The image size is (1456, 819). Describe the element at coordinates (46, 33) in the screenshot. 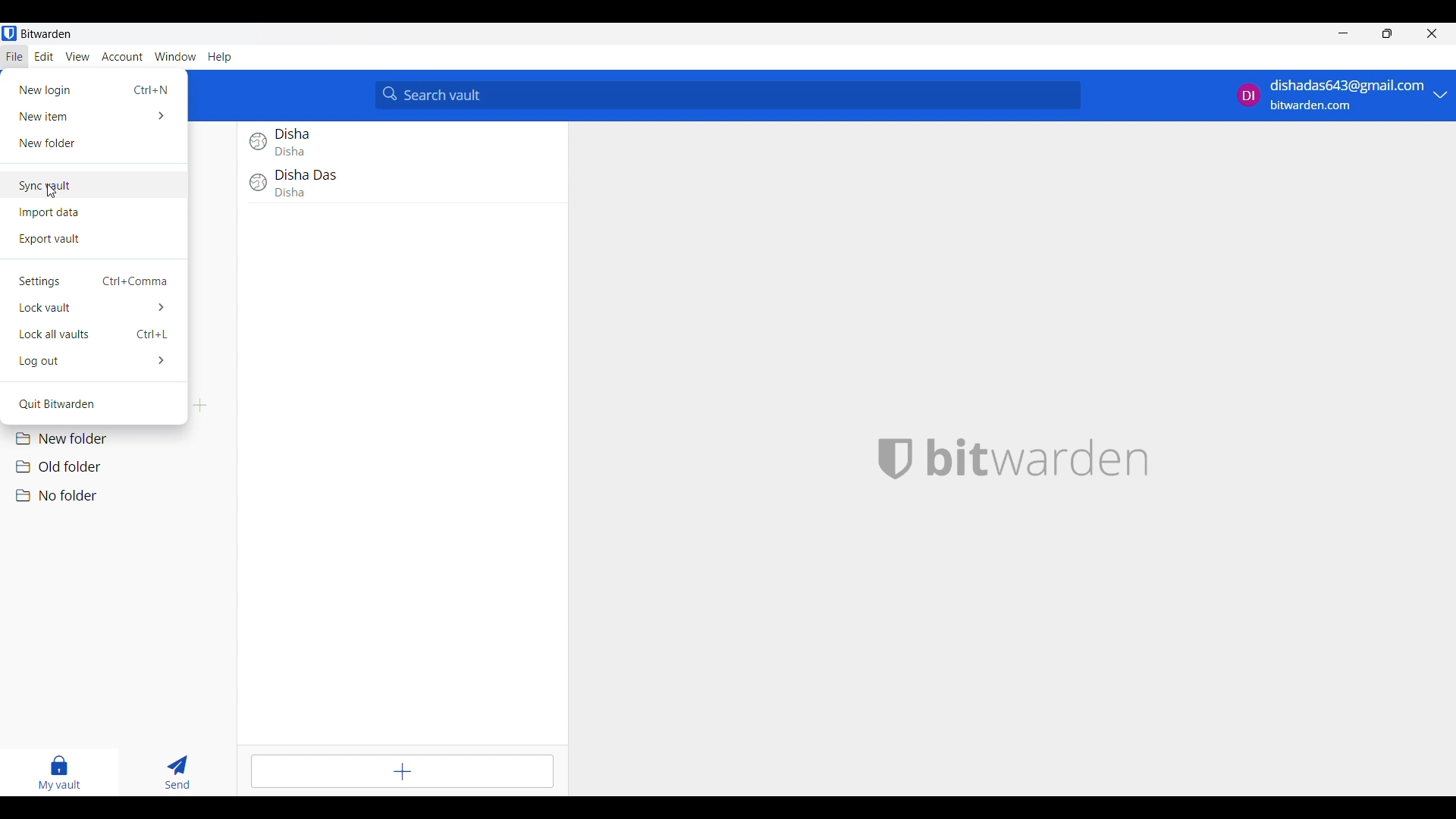

I see `Software name` at that location.